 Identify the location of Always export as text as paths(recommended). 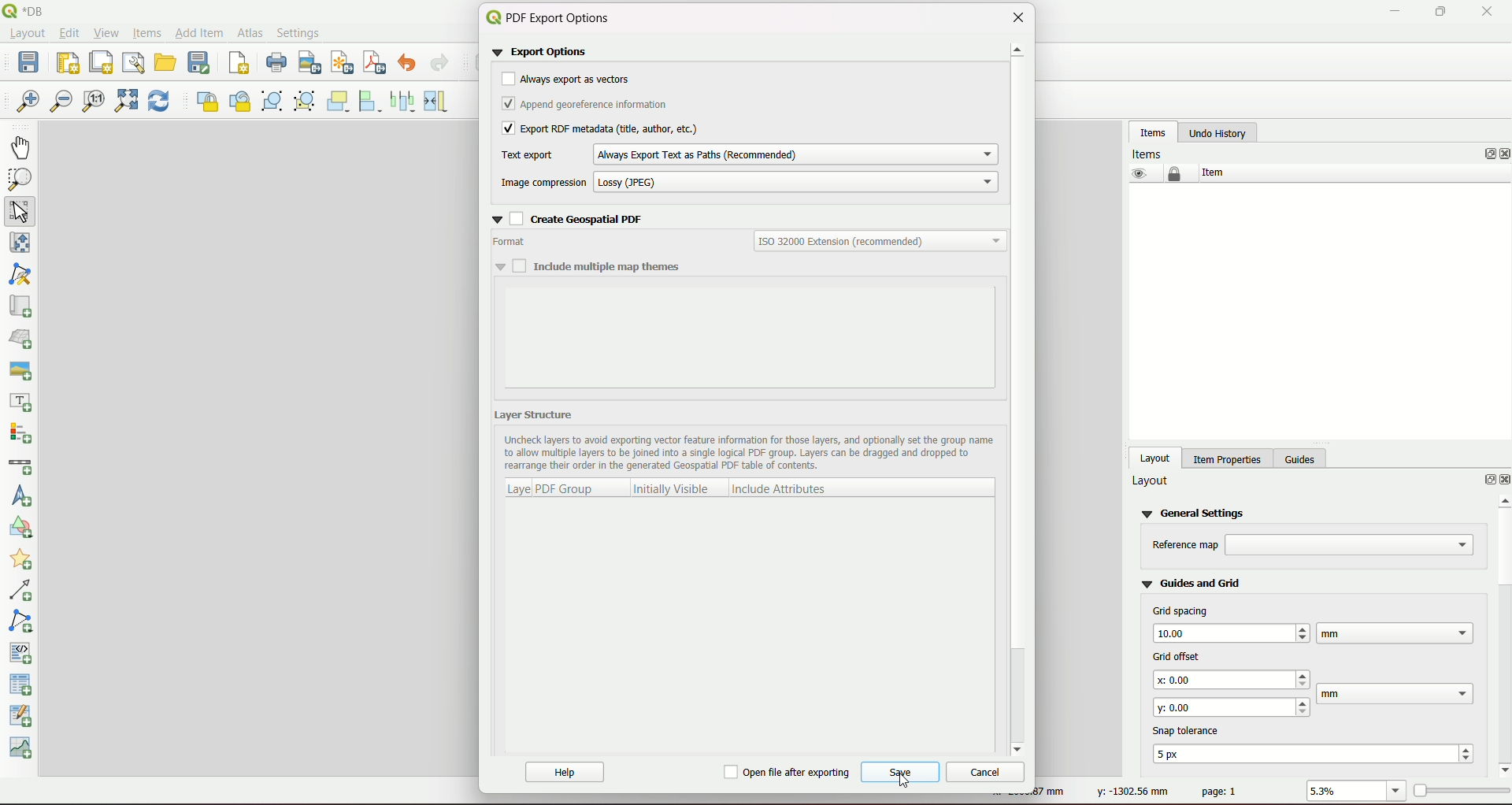
(792, 153).